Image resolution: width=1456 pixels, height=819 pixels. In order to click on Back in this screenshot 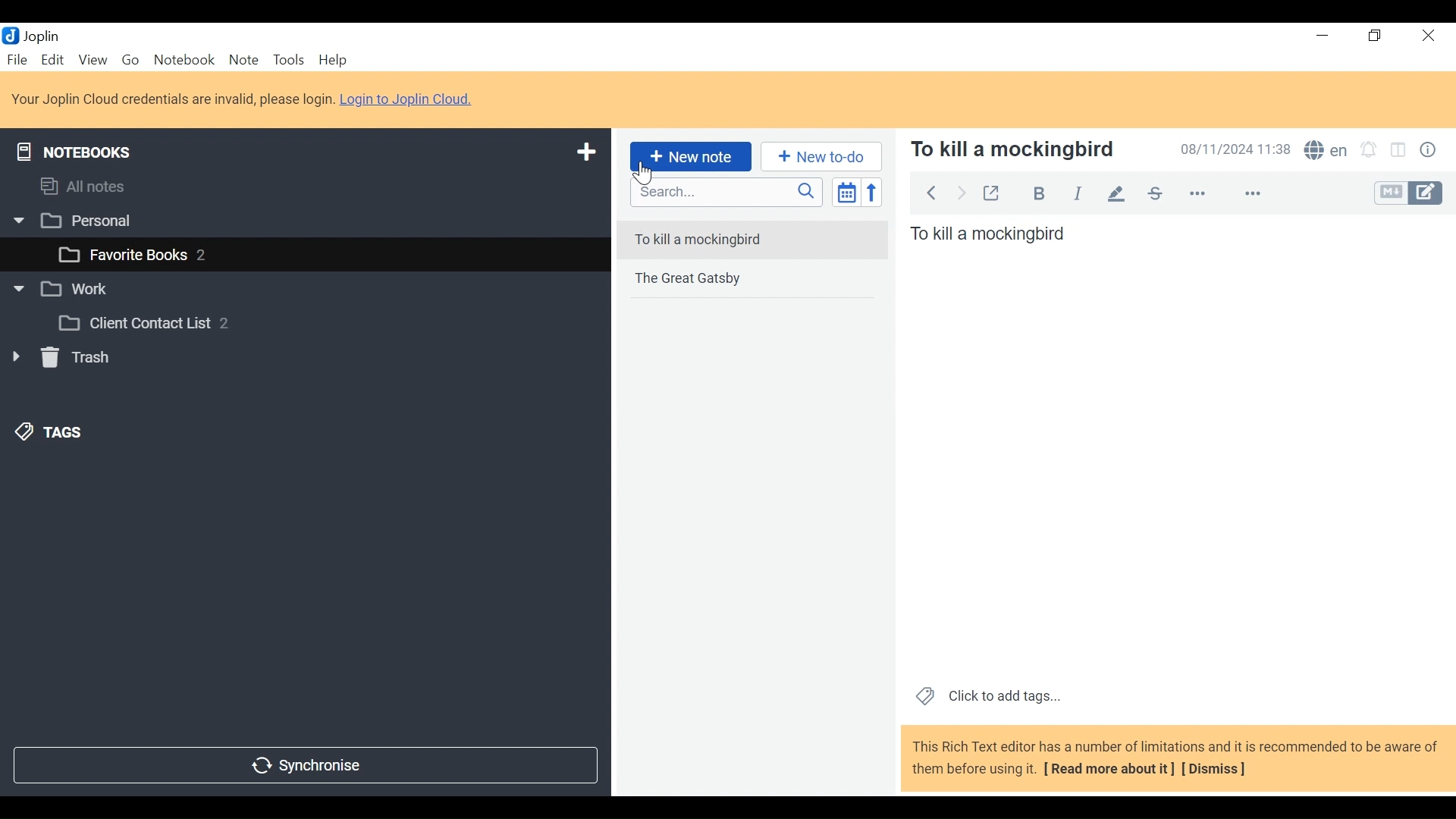, I will do `click(934, 193)`.